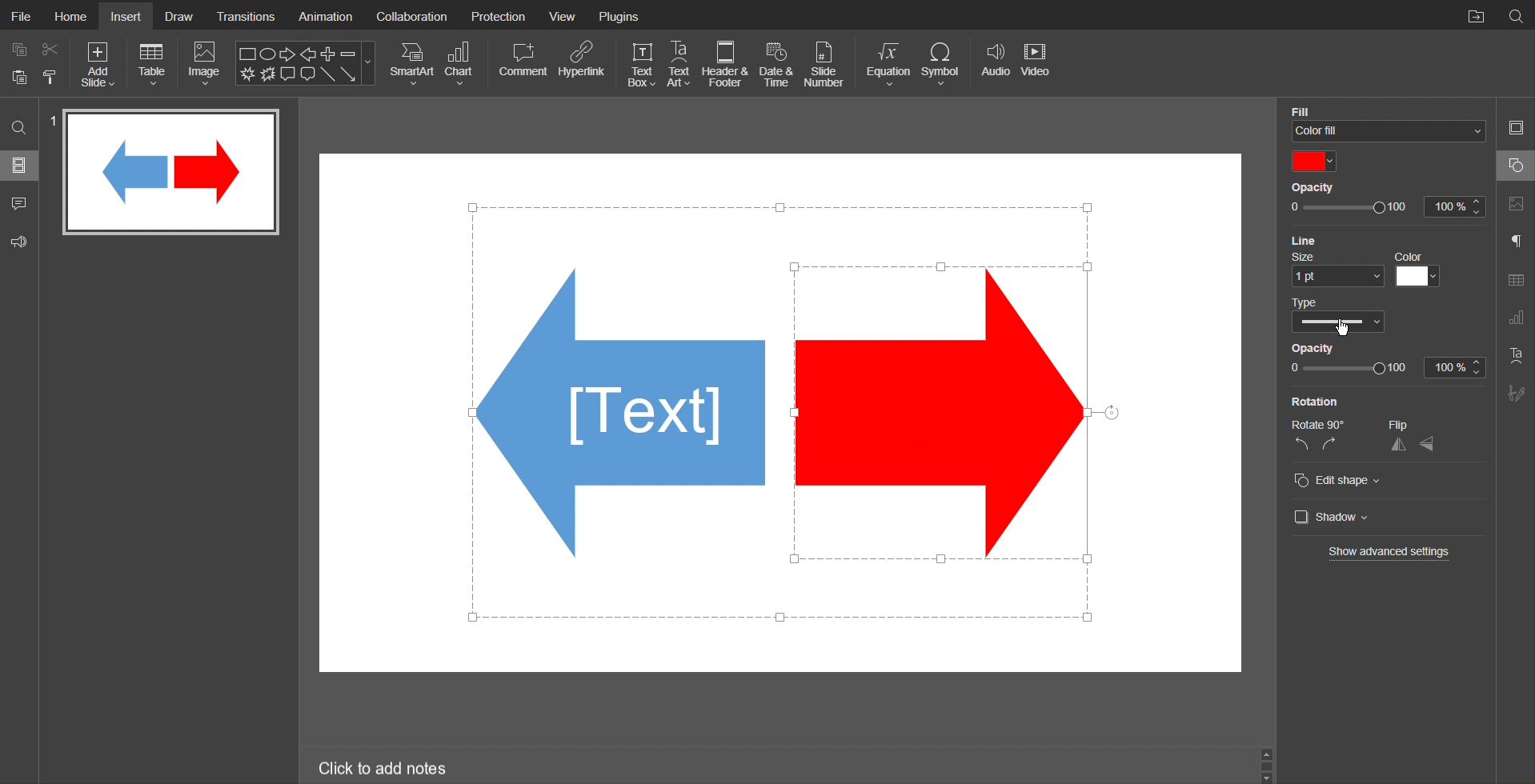 This screenshot has height=784, width=1535. What do you see at coordinates (18, 48) in the screenshot?
I see `copy` at bounding box center [18, 48].